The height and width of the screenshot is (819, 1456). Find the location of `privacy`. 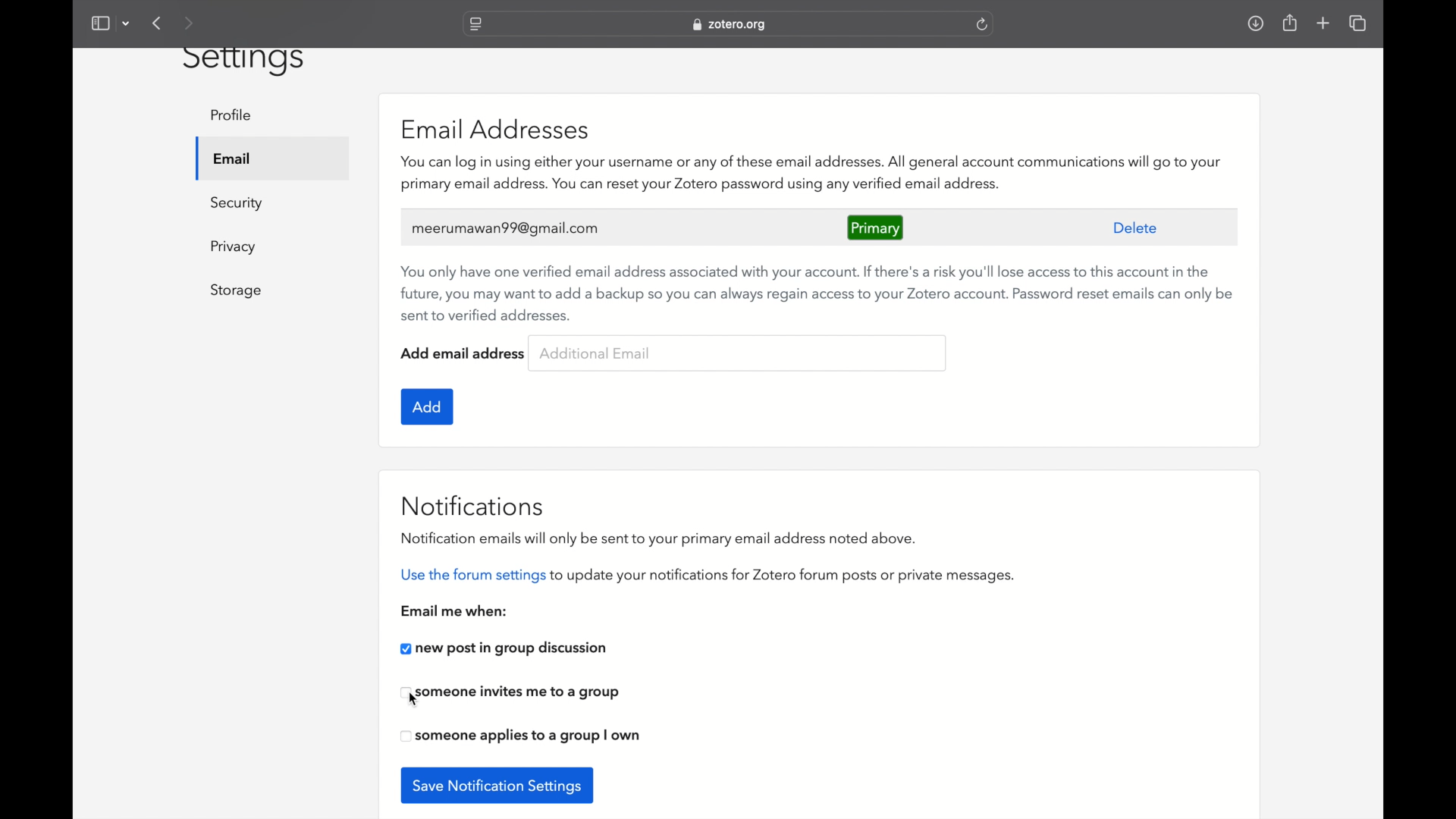

privacy is located at coordinates (233, 247).